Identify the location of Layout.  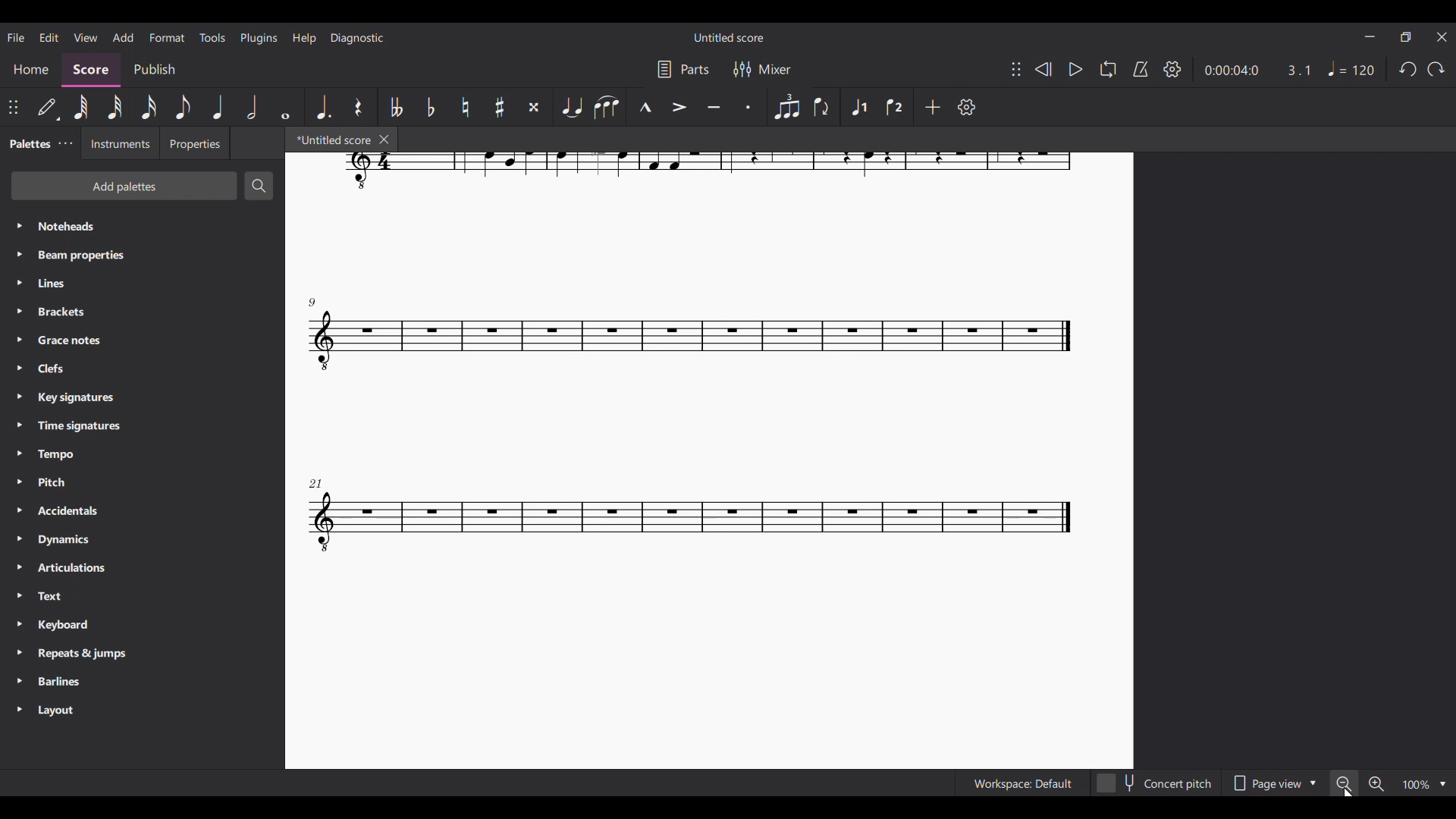
(142, 710).